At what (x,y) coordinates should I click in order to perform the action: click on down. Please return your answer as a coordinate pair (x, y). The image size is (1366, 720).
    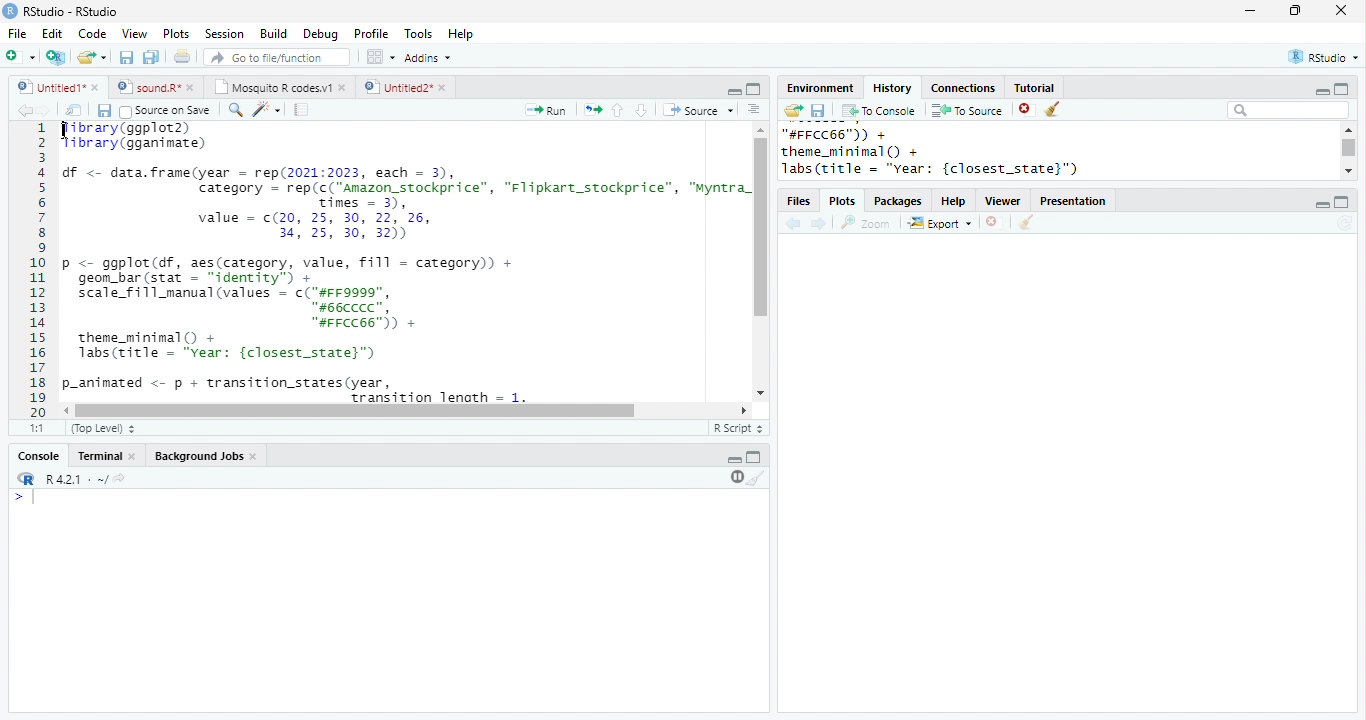
    Looking at the image, I should click on (640, 110).